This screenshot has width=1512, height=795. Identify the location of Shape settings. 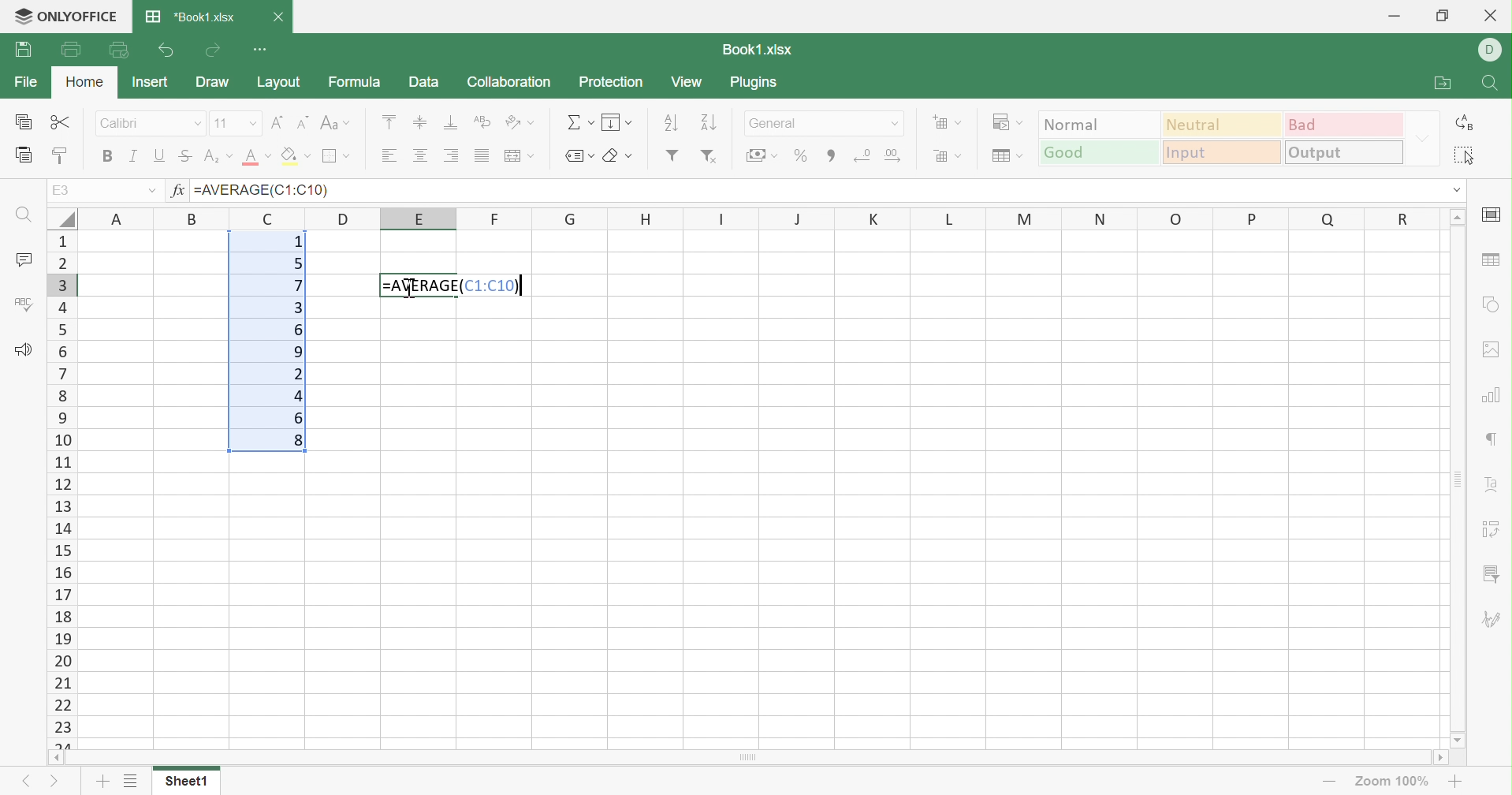
(1490, 295).